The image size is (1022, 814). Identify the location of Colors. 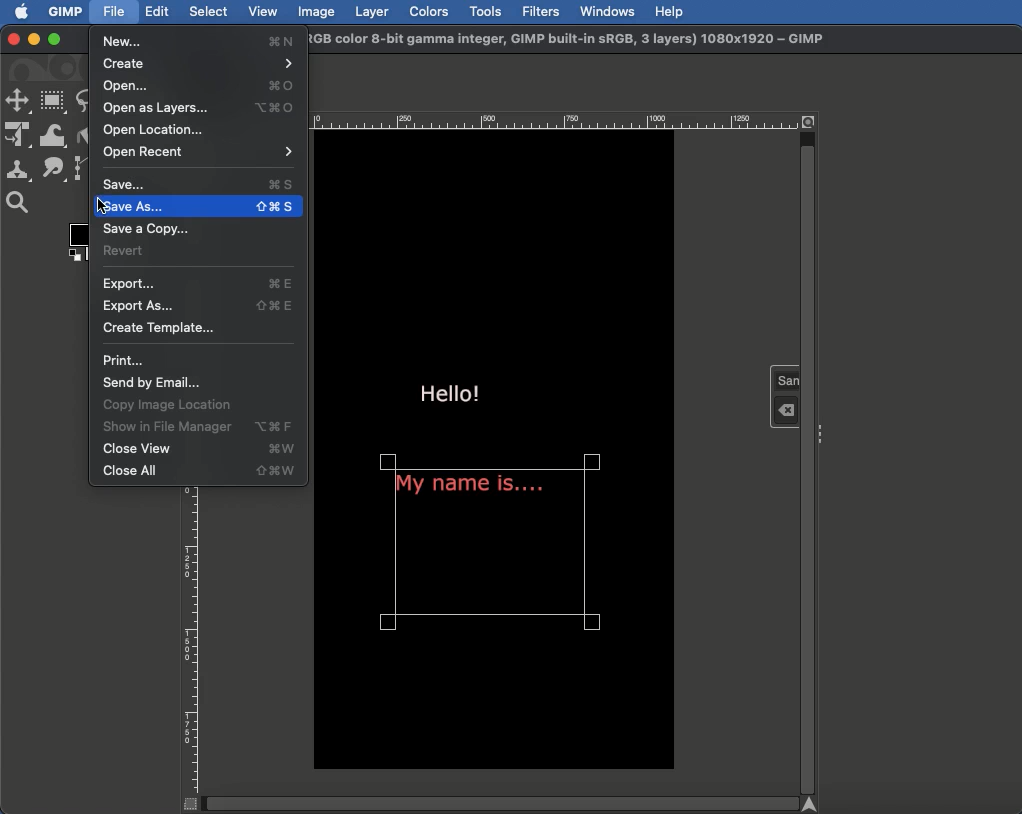
(428, 11).